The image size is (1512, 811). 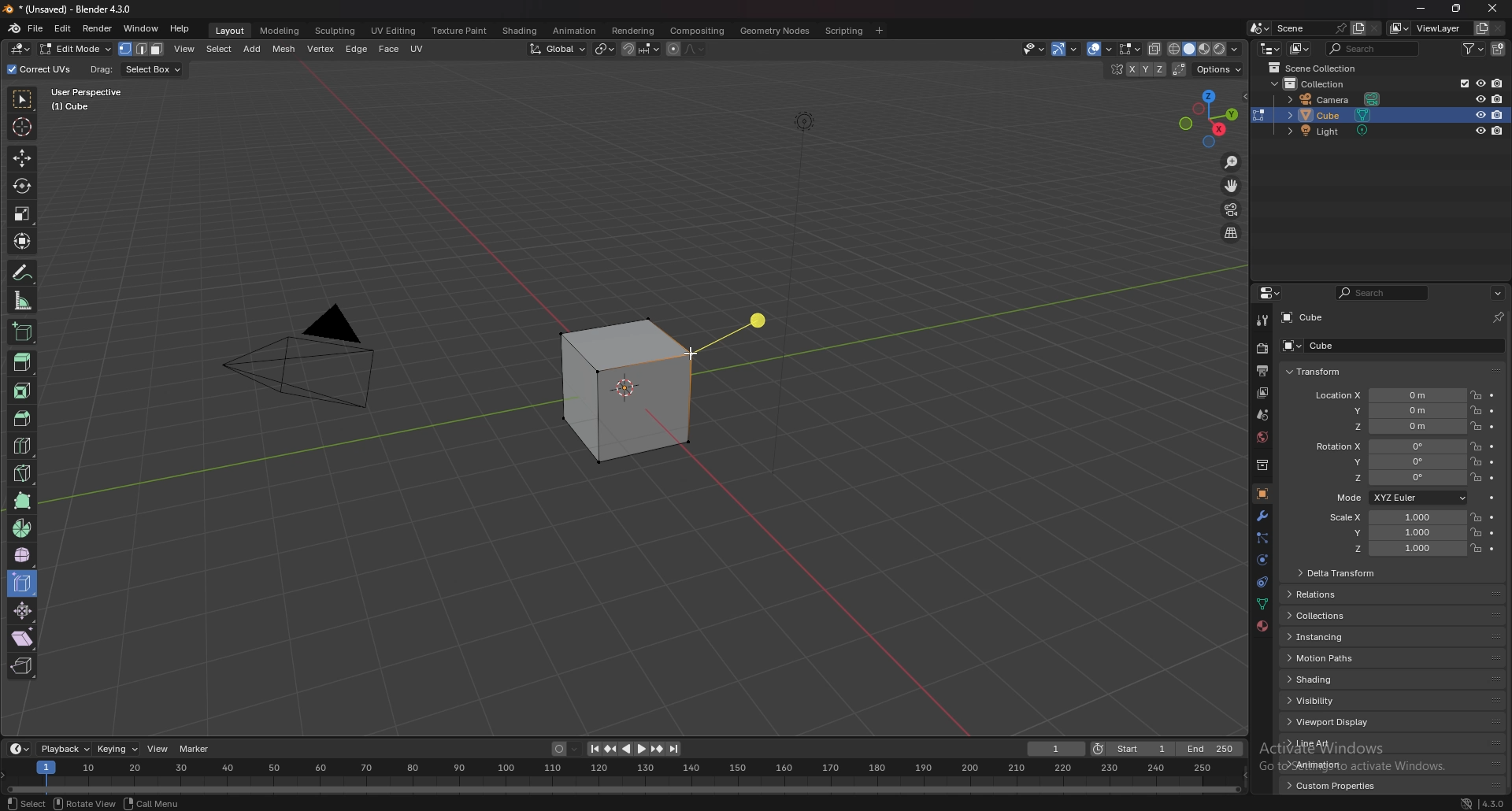 I want to click on annotate, so click(x=22, y=272).